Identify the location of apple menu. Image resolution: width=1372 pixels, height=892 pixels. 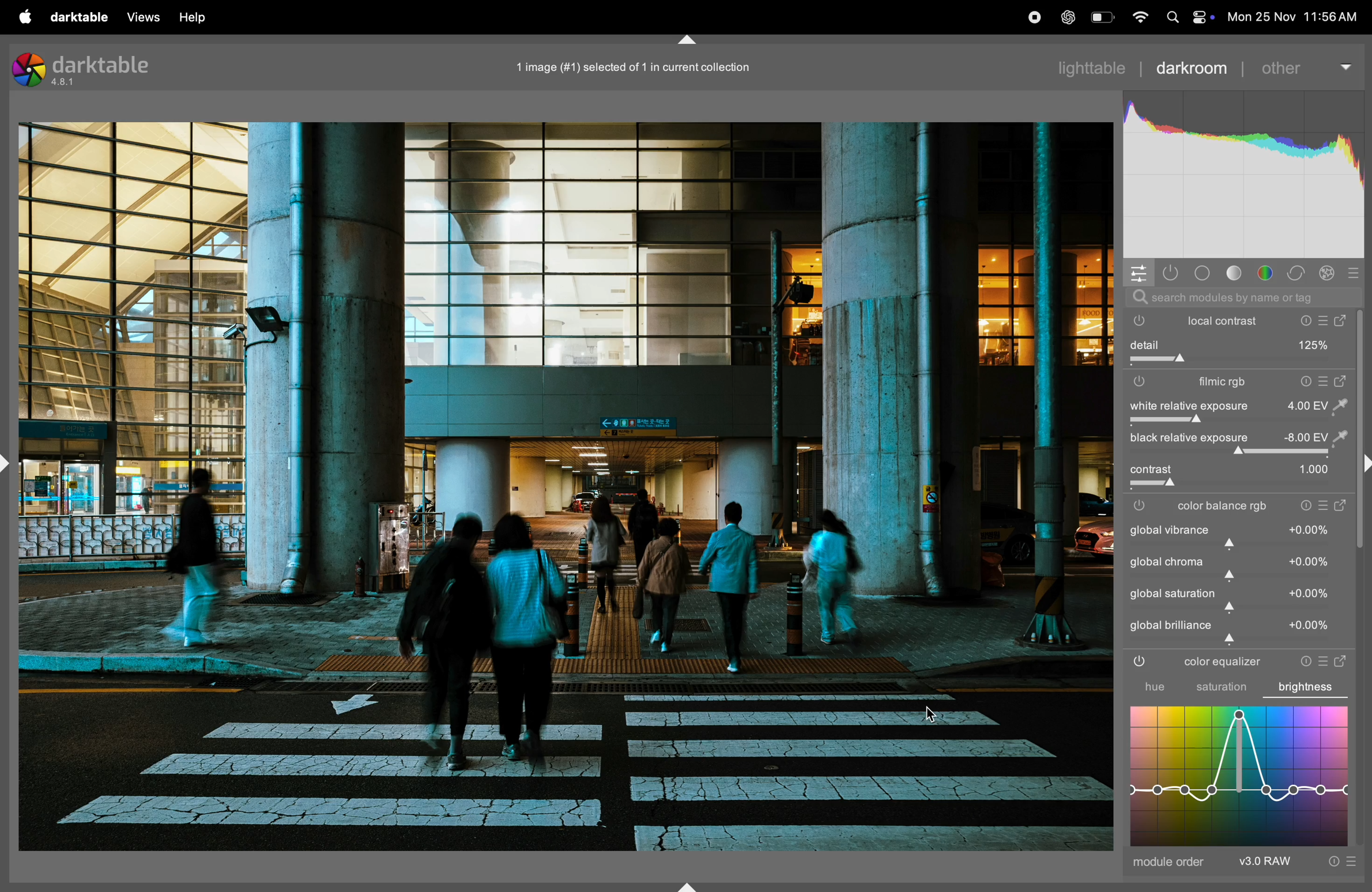
(25, 17).